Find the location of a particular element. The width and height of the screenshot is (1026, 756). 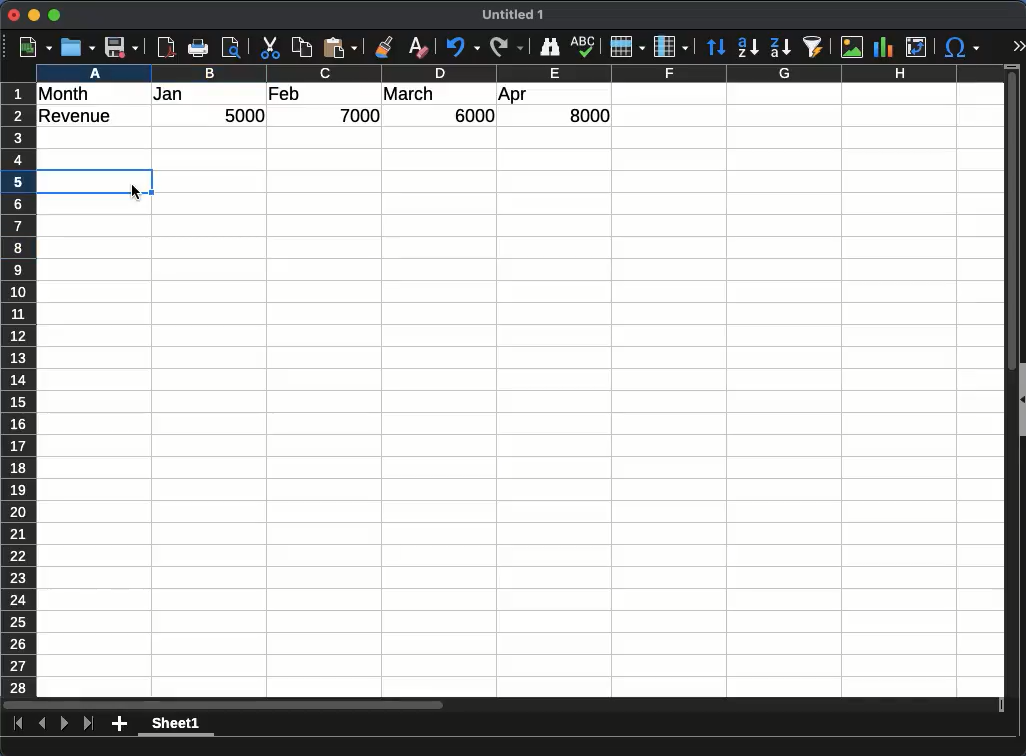

expand is located at coordinates (1019, 45).